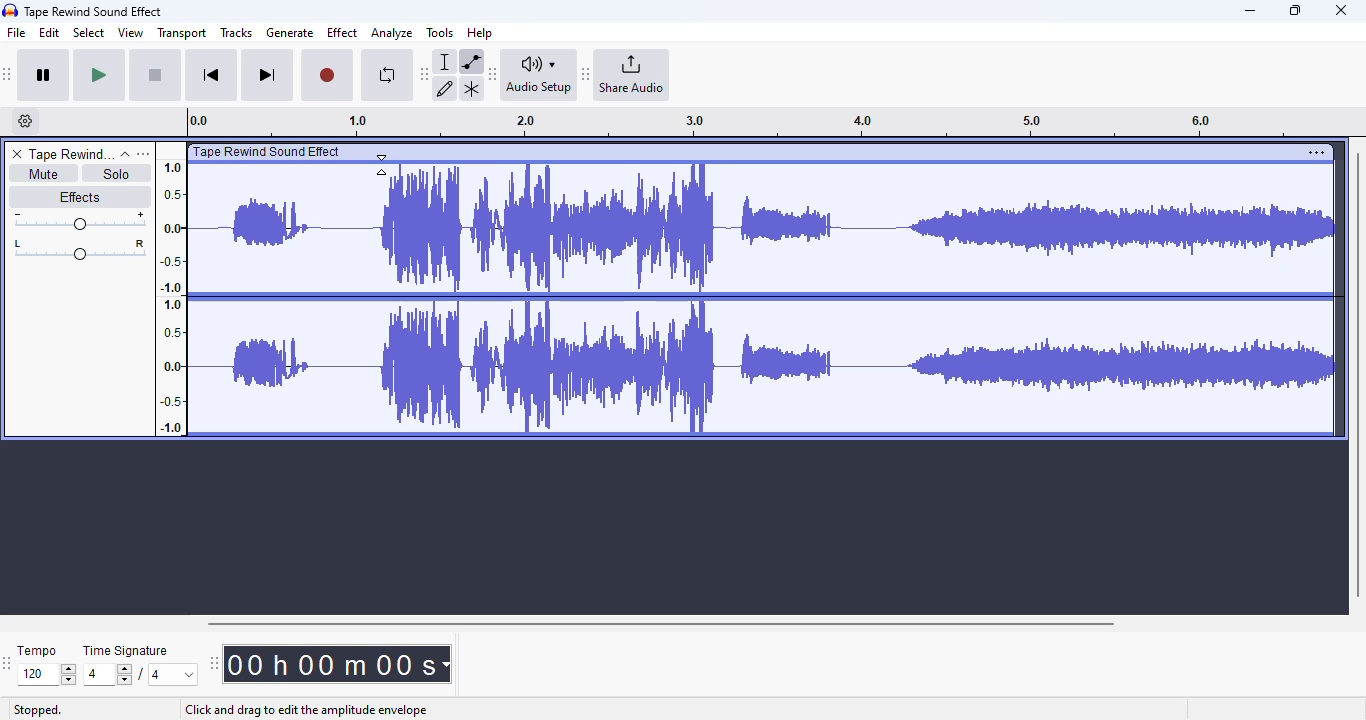 The image size is (1366, 720). I want to click on draw tool, so click(446, 88).